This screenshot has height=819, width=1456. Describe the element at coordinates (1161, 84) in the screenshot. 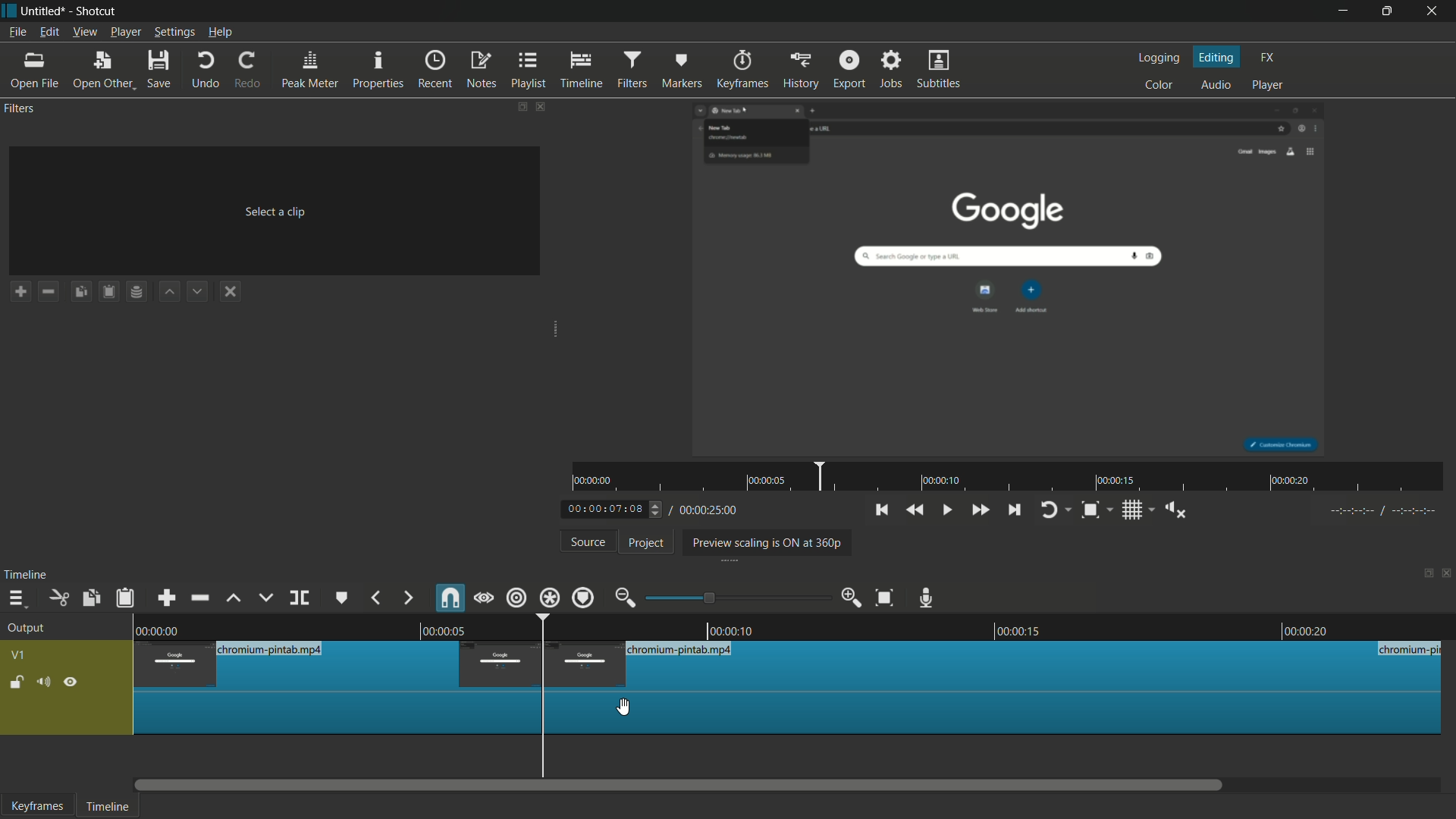

I see `color` at that location.